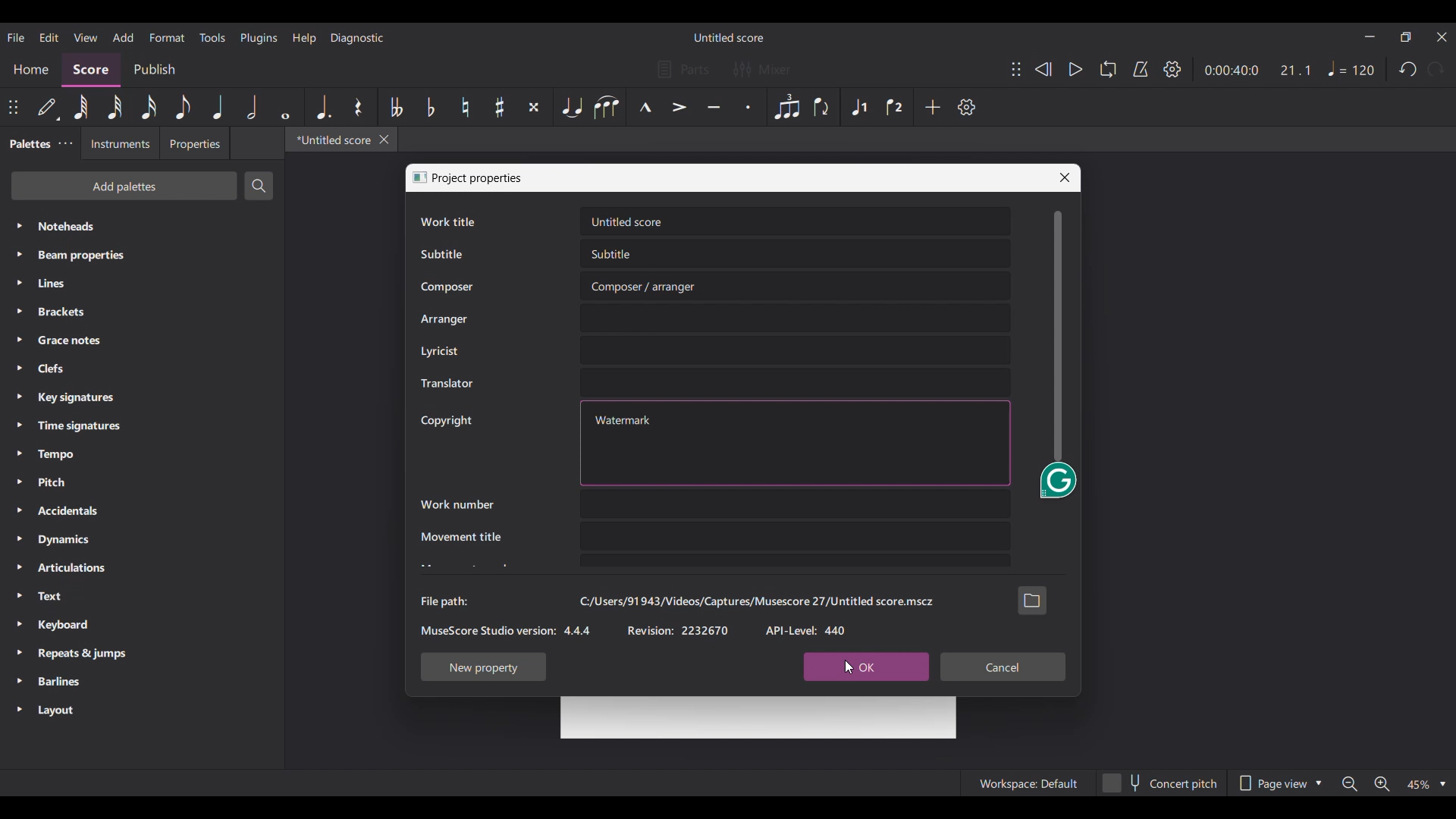 Image resolution: width=1456 pixels, height=819 pixels. Describe the element at coordinates (932, 107) in the screenshot. I see `Add` at that location.